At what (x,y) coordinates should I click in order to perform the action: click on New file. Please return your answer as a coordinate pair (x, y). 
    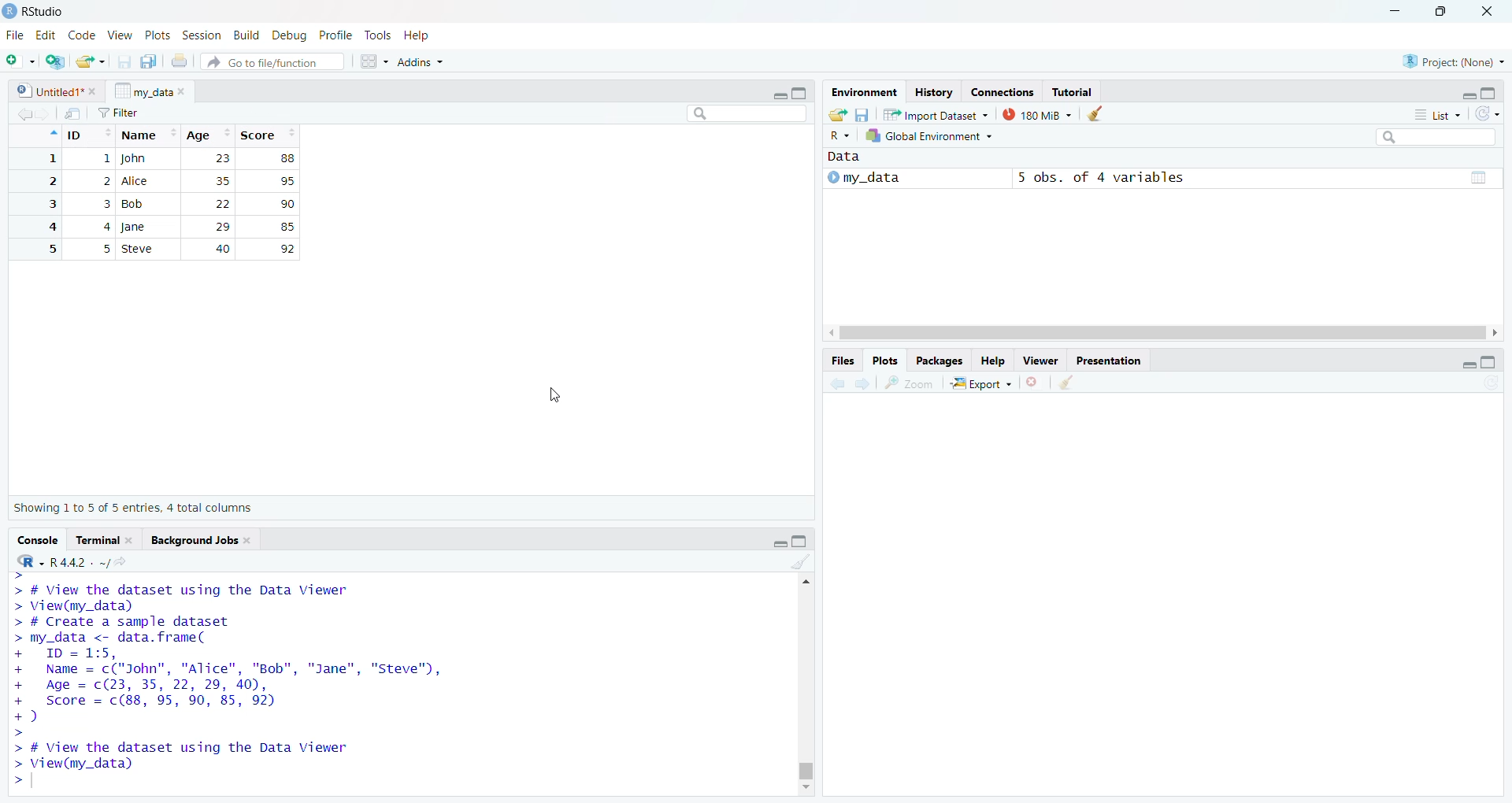
    Looking at the image, I should click on (18, 59).